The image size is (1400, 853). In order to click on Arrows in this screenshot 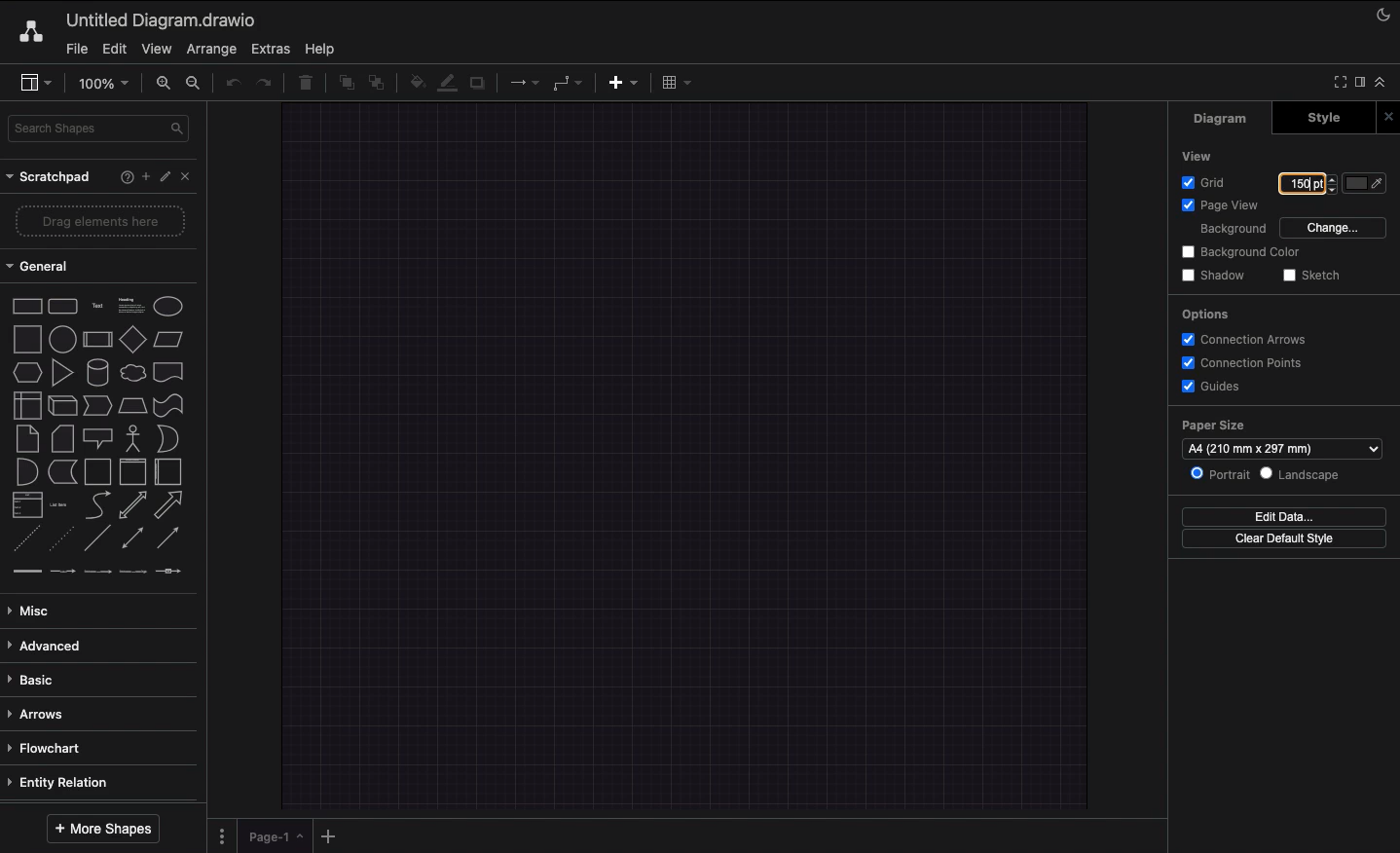, I will do `click(40, 714)`.